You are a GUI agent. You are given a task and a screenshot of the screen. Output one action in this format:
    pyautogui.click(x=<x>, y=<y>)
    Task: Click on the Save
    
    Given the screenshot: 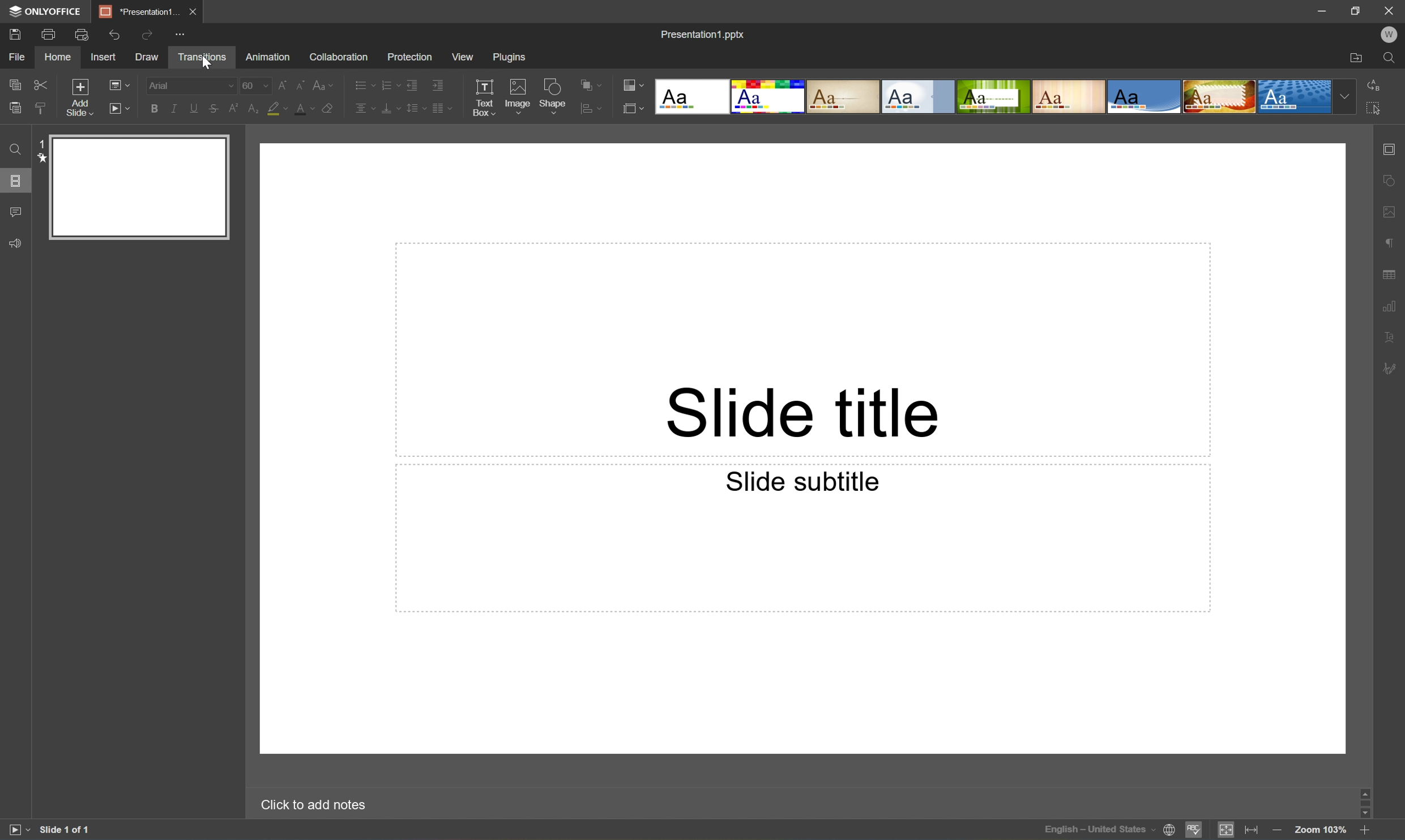 What is the action you would take?
    pyautogui.click(x=14, y=36)
    